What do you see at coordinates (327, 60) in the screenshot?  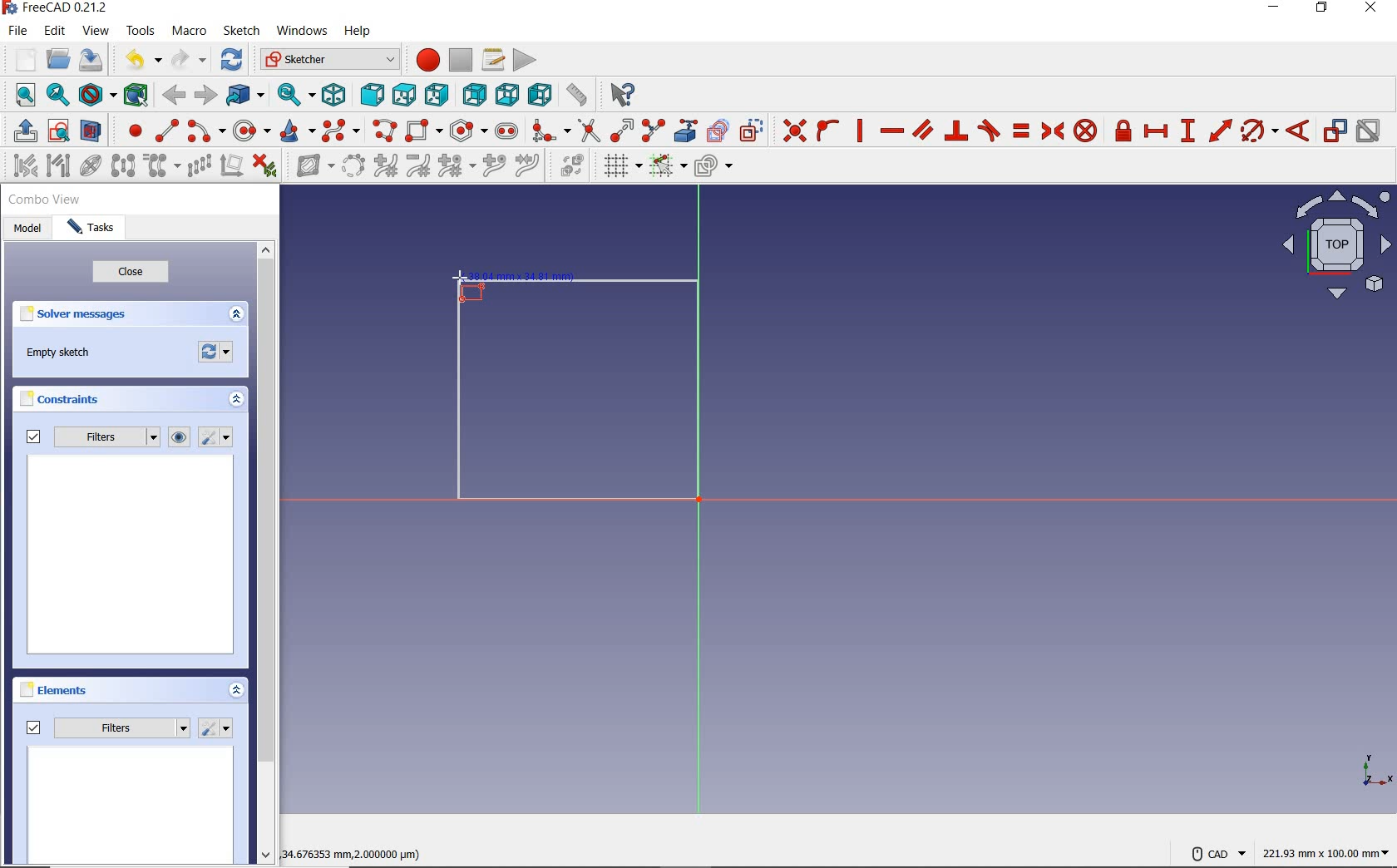 I see `switch between workbenches` at bounding box center [327, 60].